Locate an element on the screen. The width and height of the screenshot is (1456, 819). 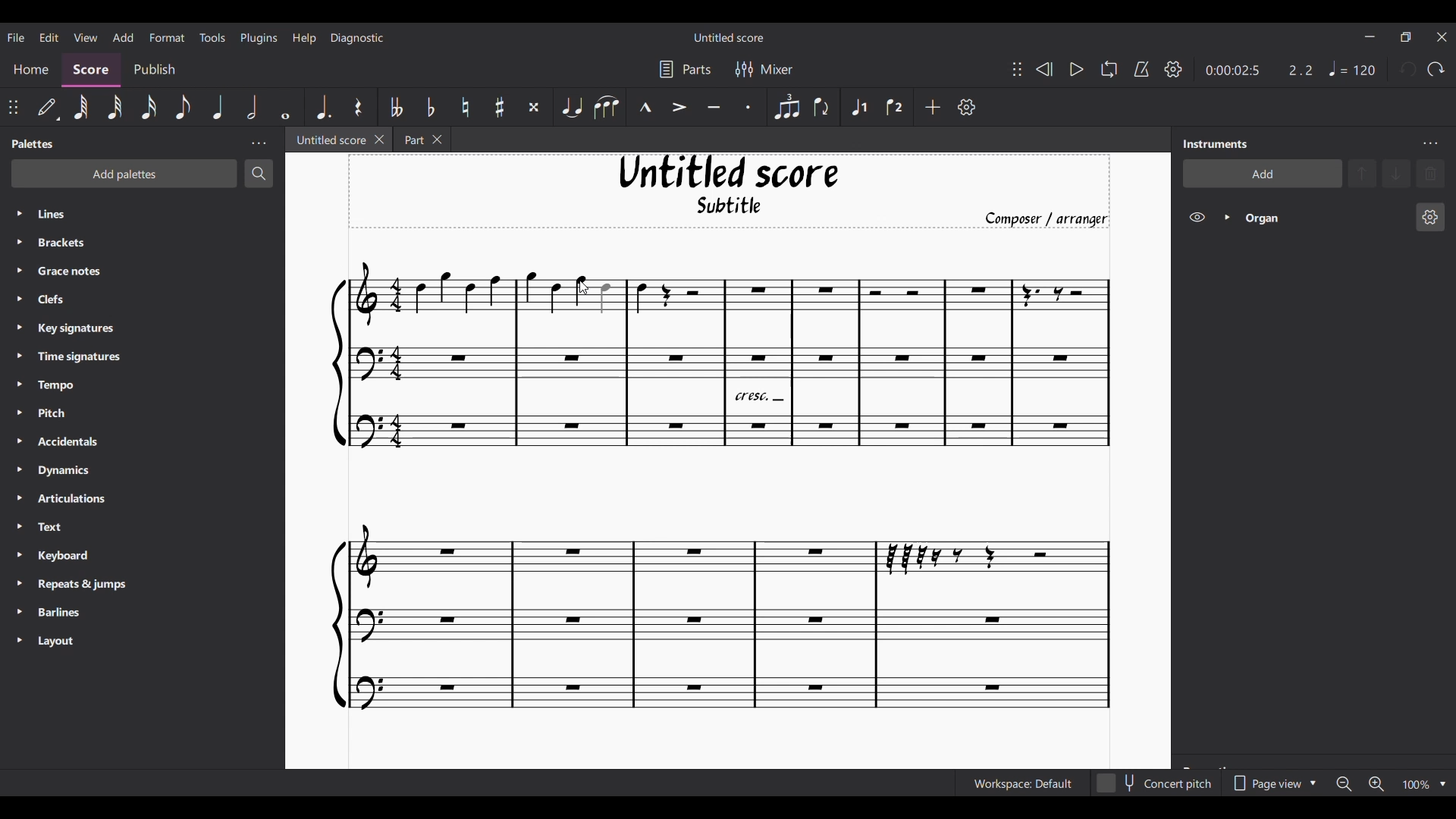
Diagnostic menu is located at coordinates (357, 38).